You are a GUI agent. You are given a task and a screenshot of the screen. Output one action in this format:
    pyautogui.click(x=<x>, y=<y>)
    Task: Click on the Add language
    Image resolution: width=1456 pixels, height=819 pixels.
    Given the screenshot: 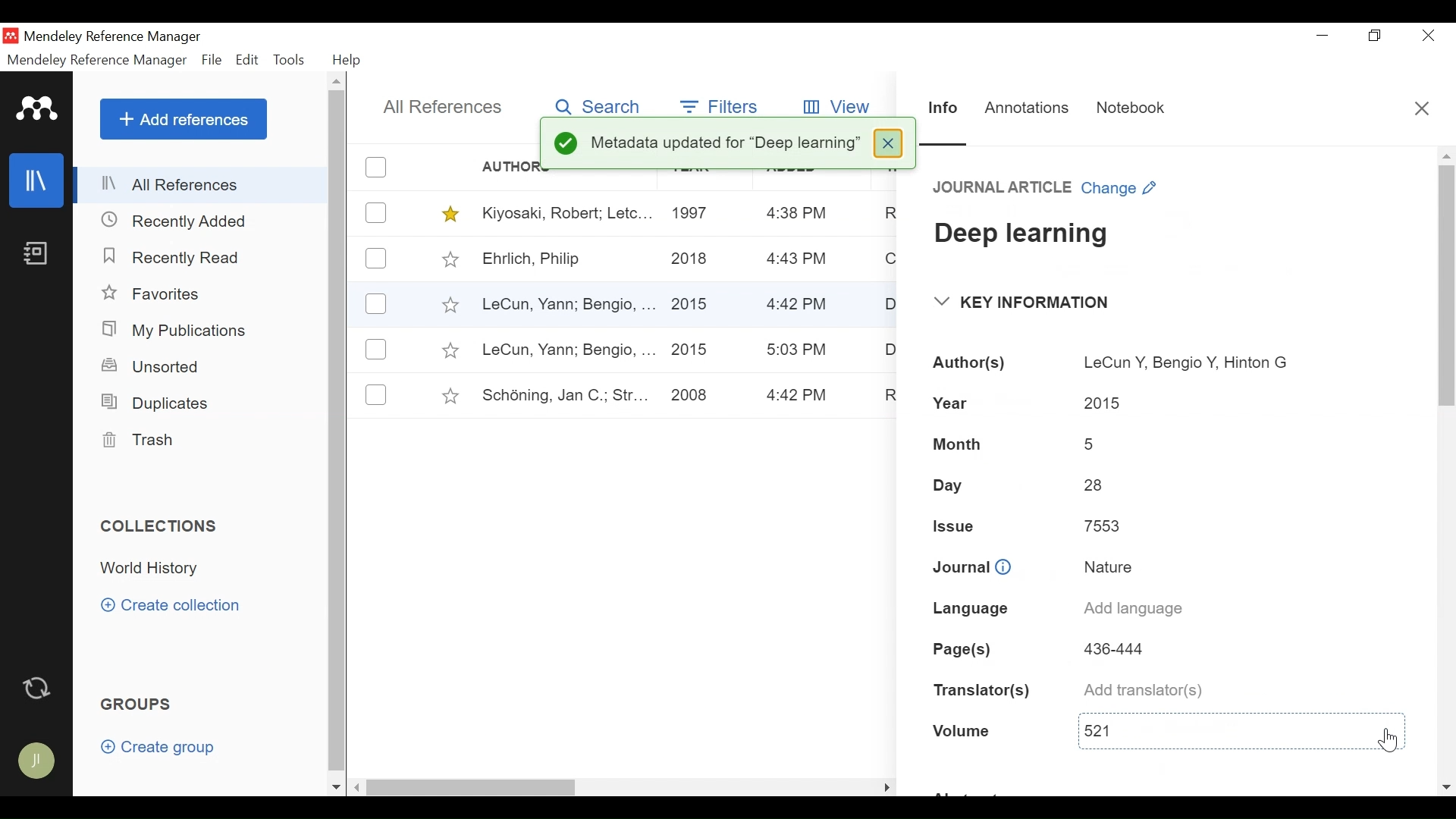 What is the action you would take?
    pyautogui.click(x=1131, y=608)
    